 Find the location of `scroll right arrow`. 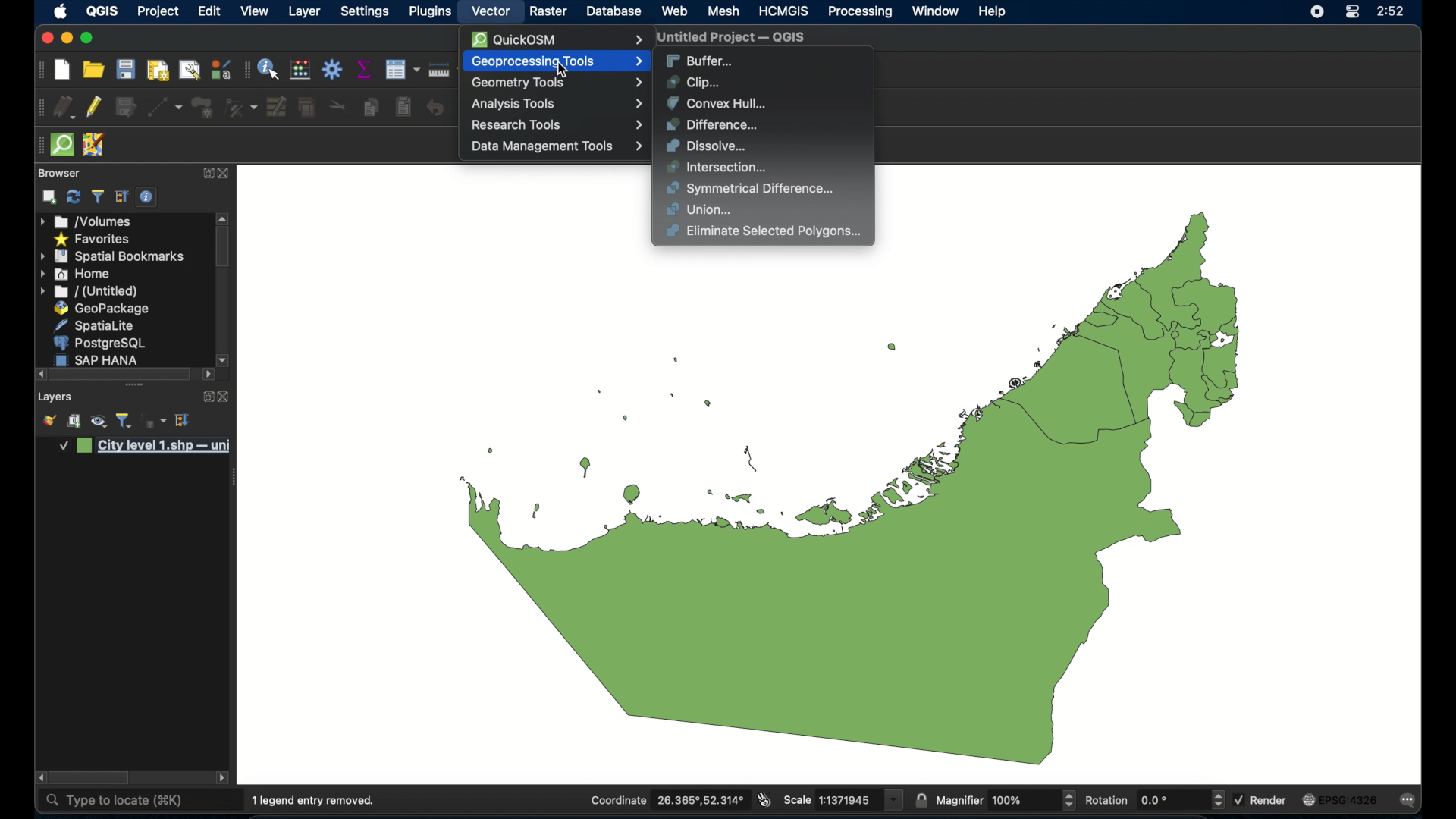

scroll right arrow is located at coordinates (39, 778).